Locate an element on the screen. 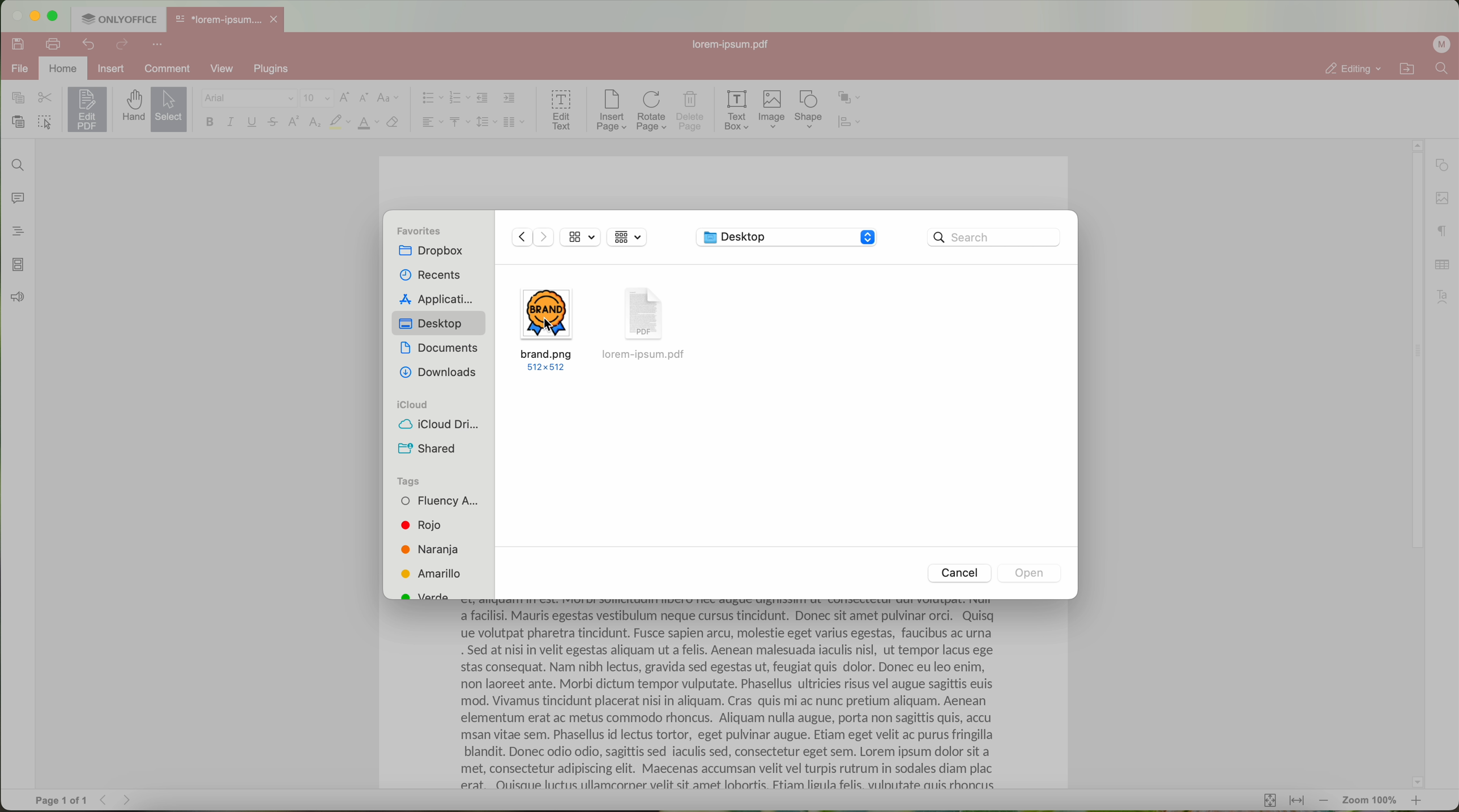 This screenshot has width=1459, height=812. applications is located at coordinates (436, 300).